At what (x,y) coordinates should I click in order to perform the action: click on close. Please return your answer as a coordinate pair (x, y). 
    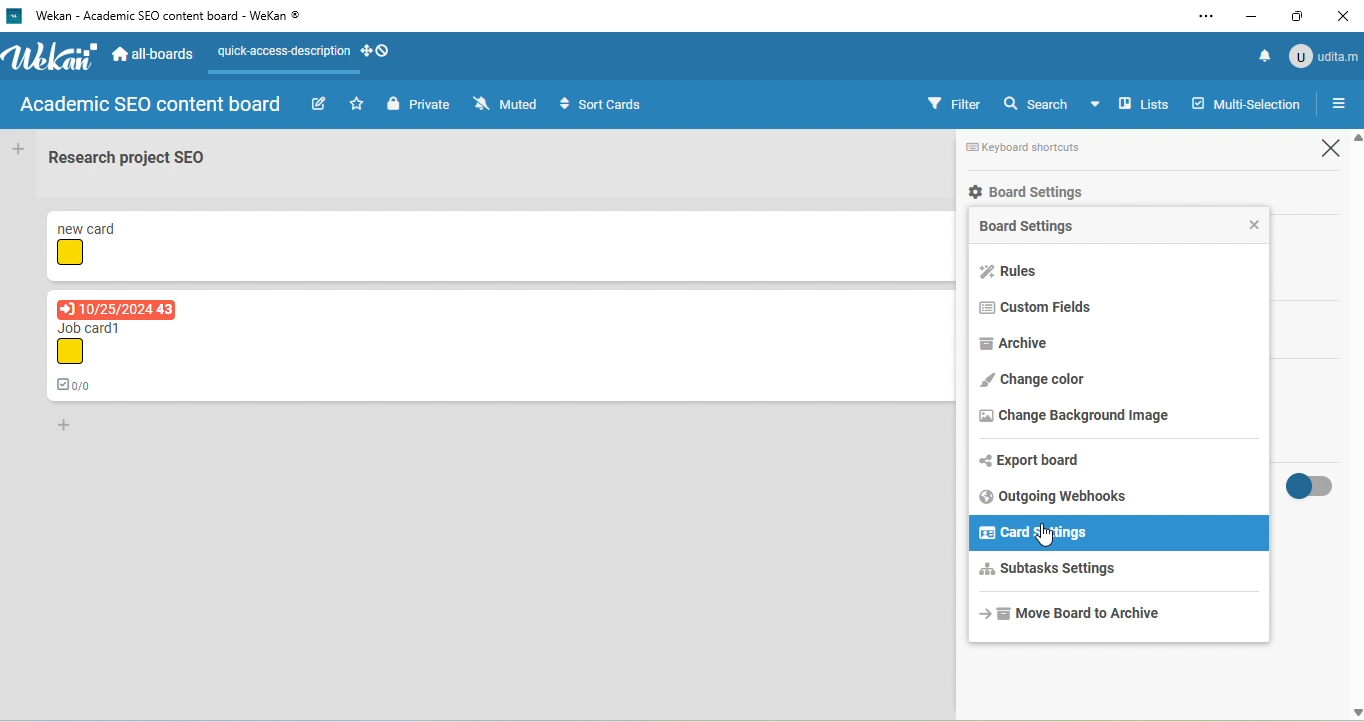
    Looking at the image, I should click on (1246, 223).